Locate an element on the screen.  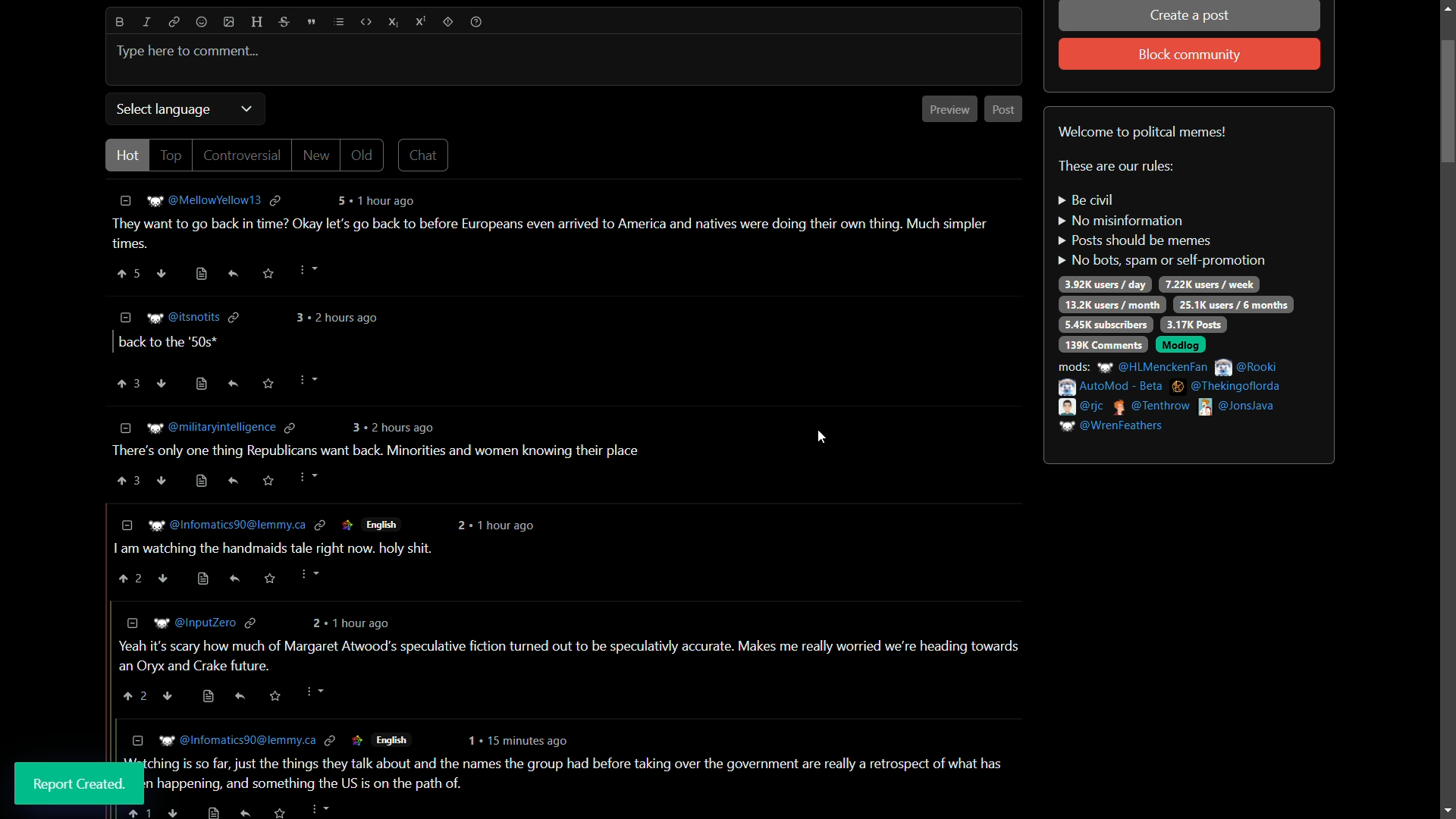
superscript is located at coordinates (420, 22).